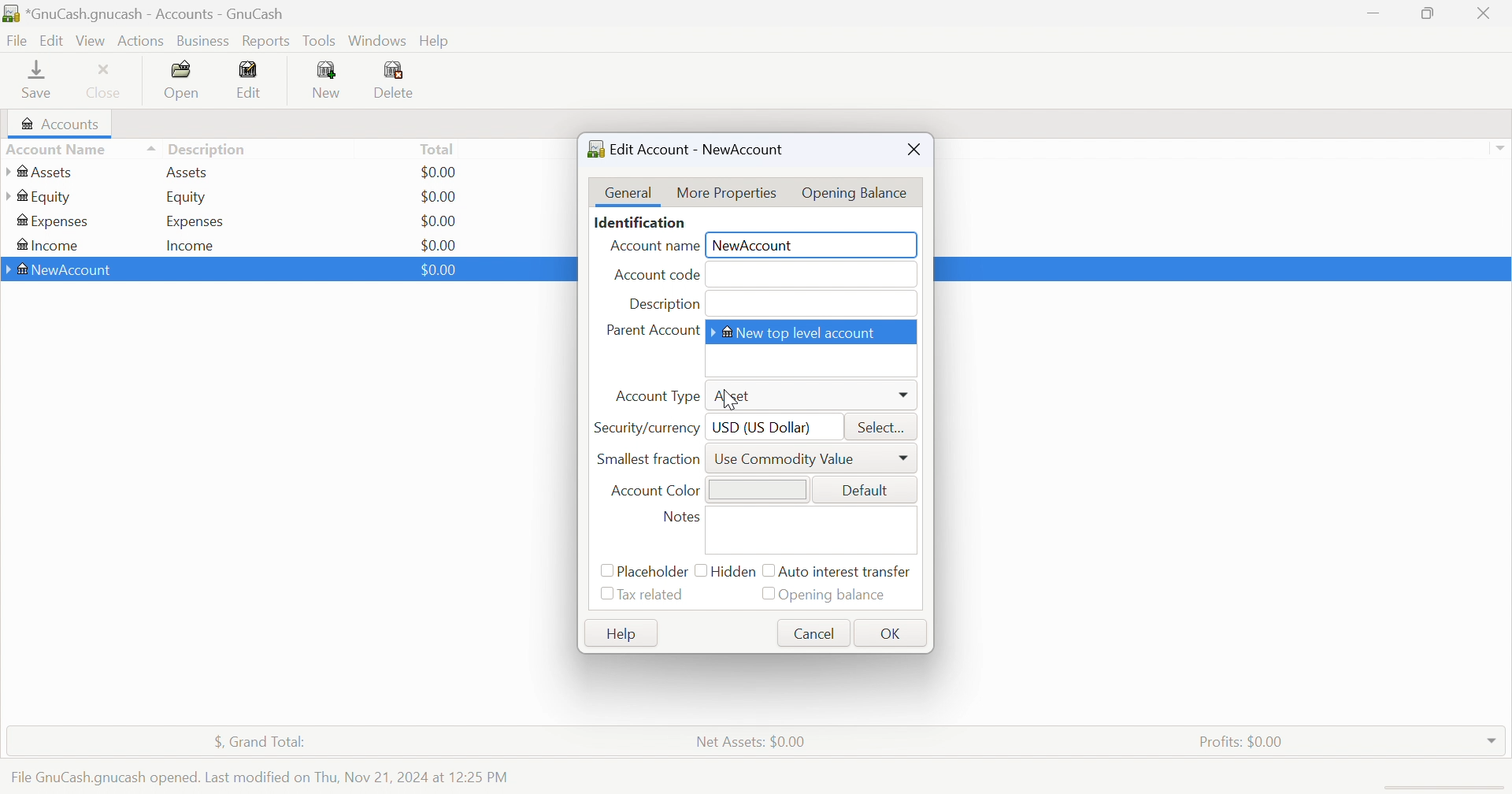 The width and height of the screenshot is (1512, 794). I want to click on Close, so click(105, 80).